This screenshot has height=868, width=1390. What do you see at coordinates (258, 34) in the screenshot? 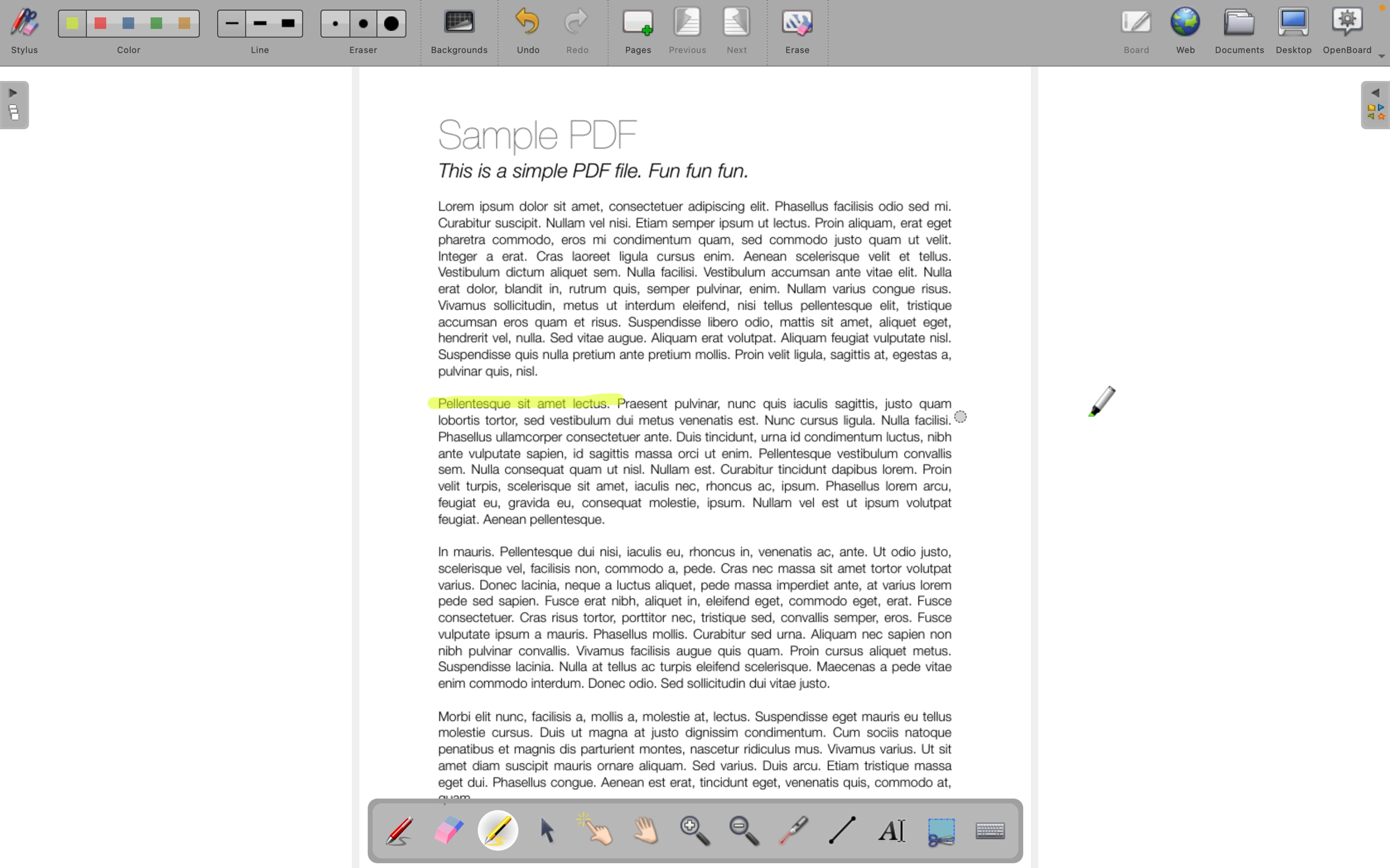
I see `line` at bounding box center [258, 34].